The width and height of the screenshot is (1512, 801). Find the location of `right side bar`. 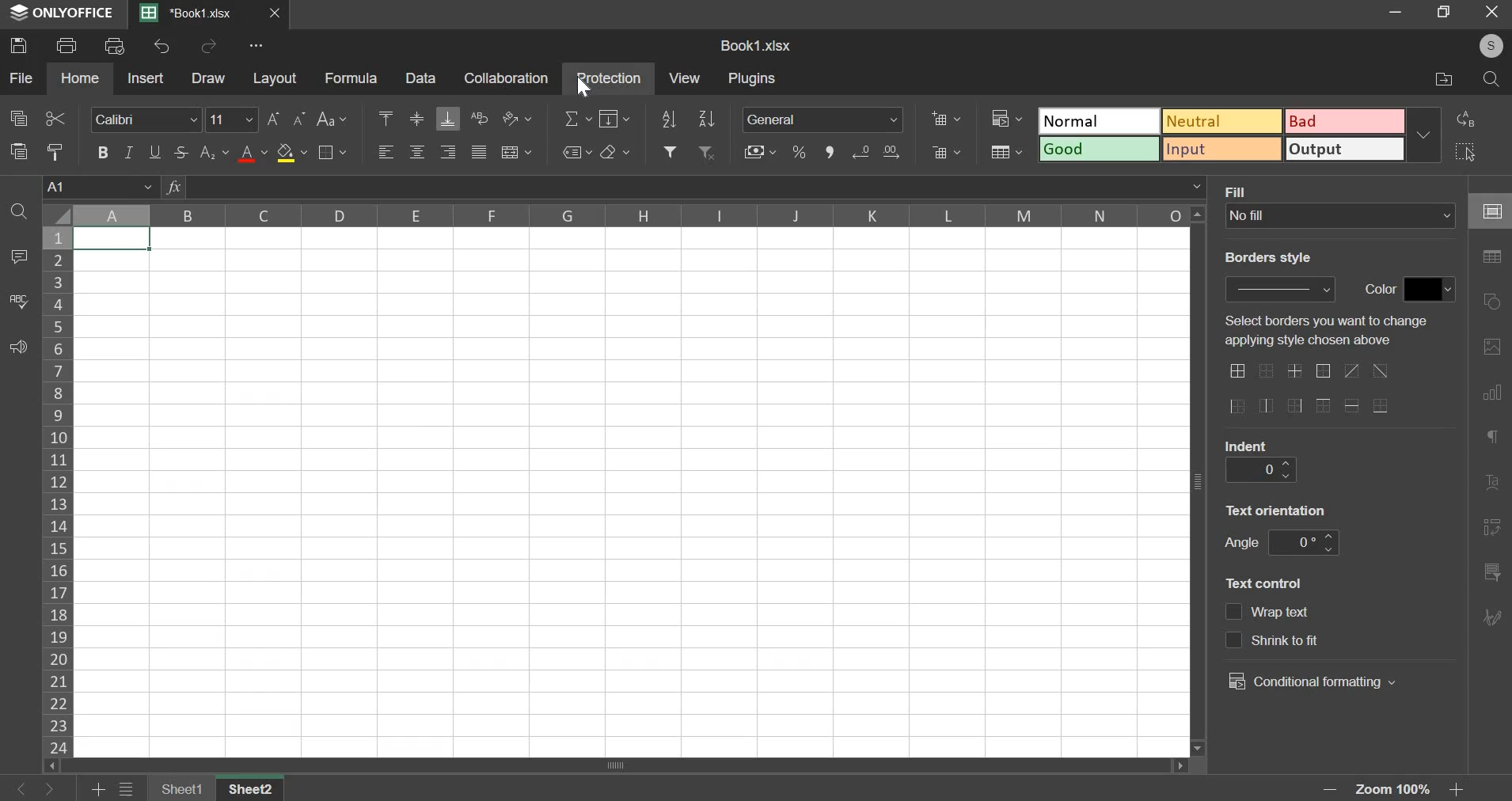

right side bar is located at coordinates (1492, 346).